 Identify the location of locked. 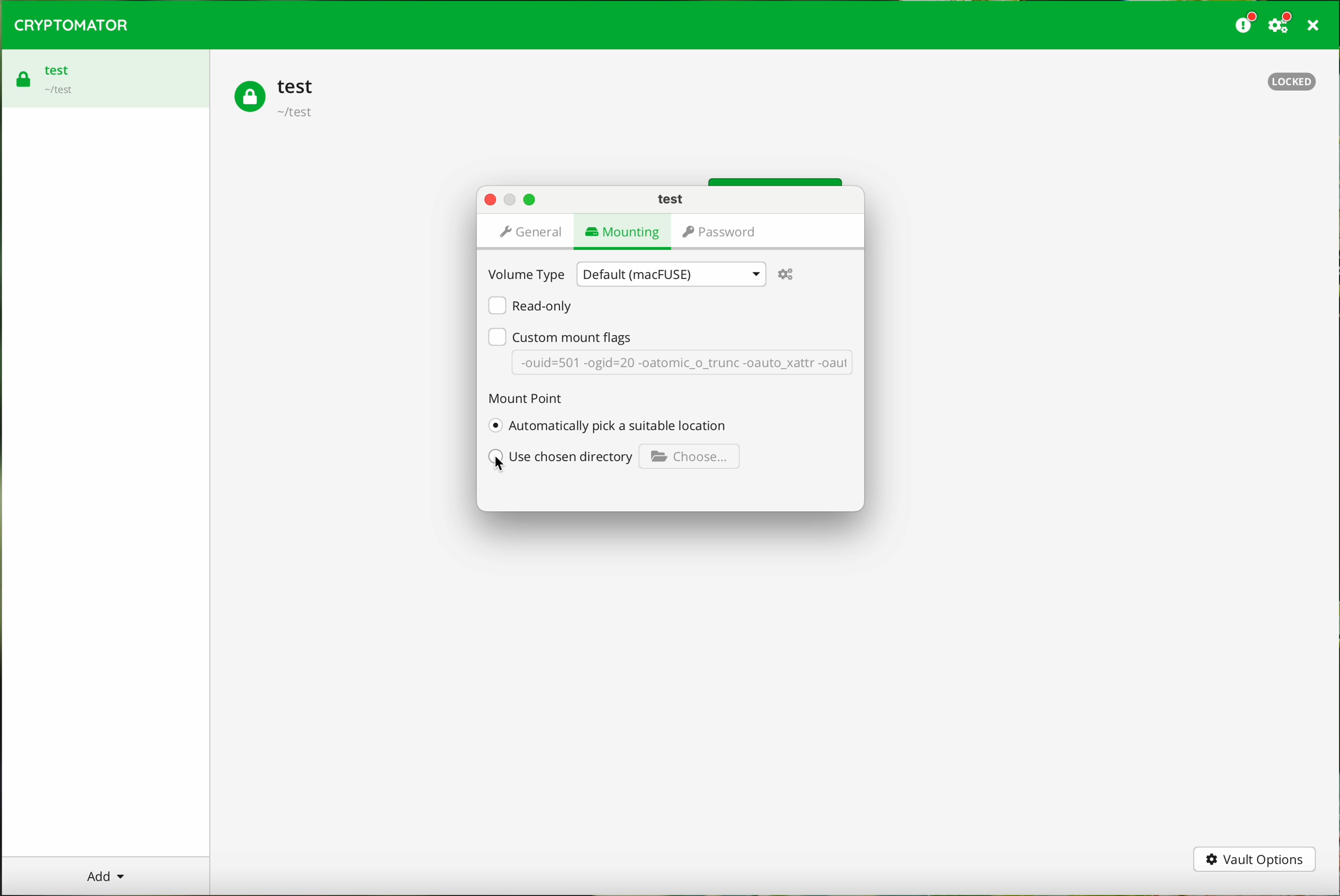
(1293, 82).